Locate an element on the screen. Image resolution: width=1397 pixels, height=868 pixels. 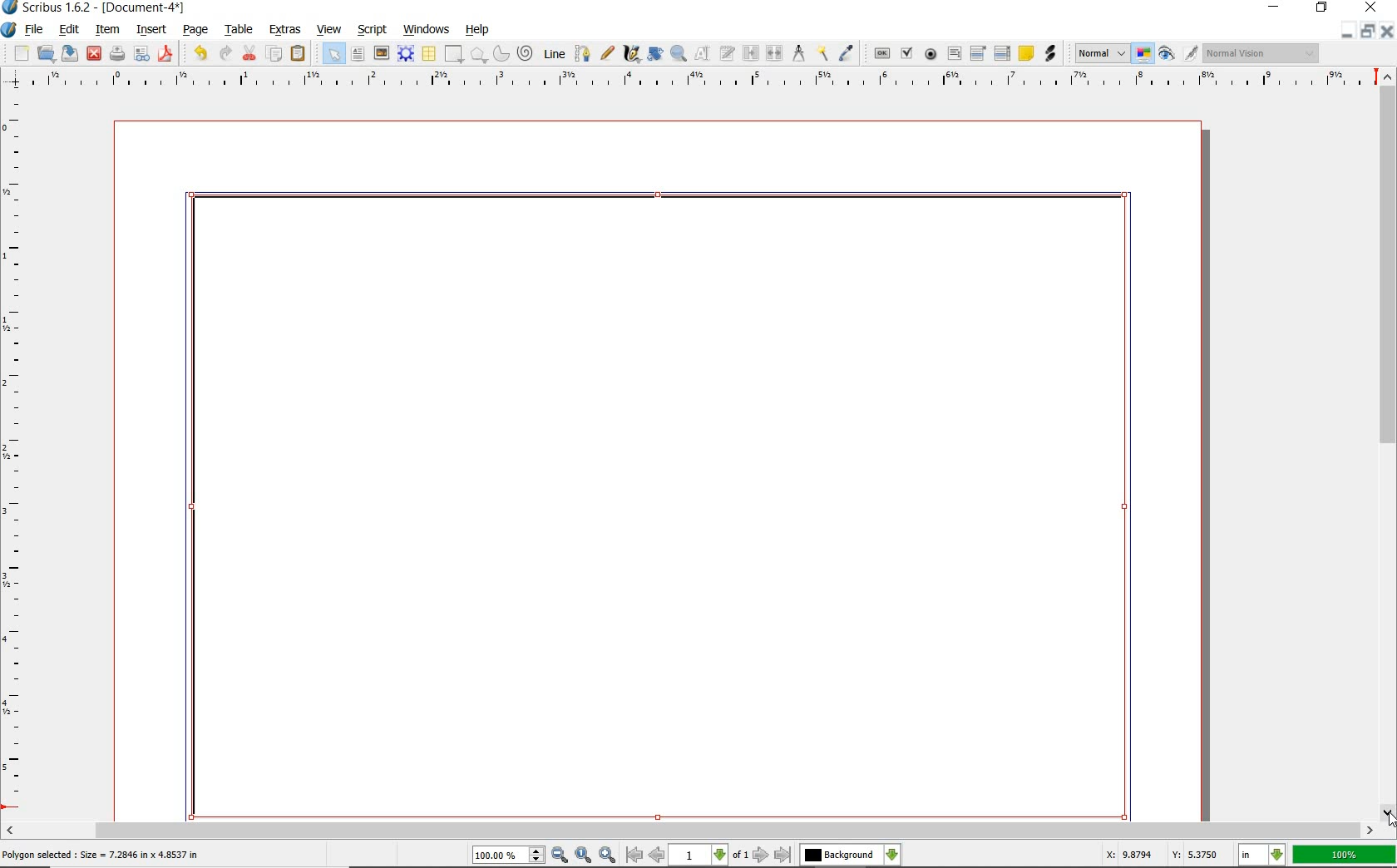
preflight verifier is located at coordinates (142, 54).